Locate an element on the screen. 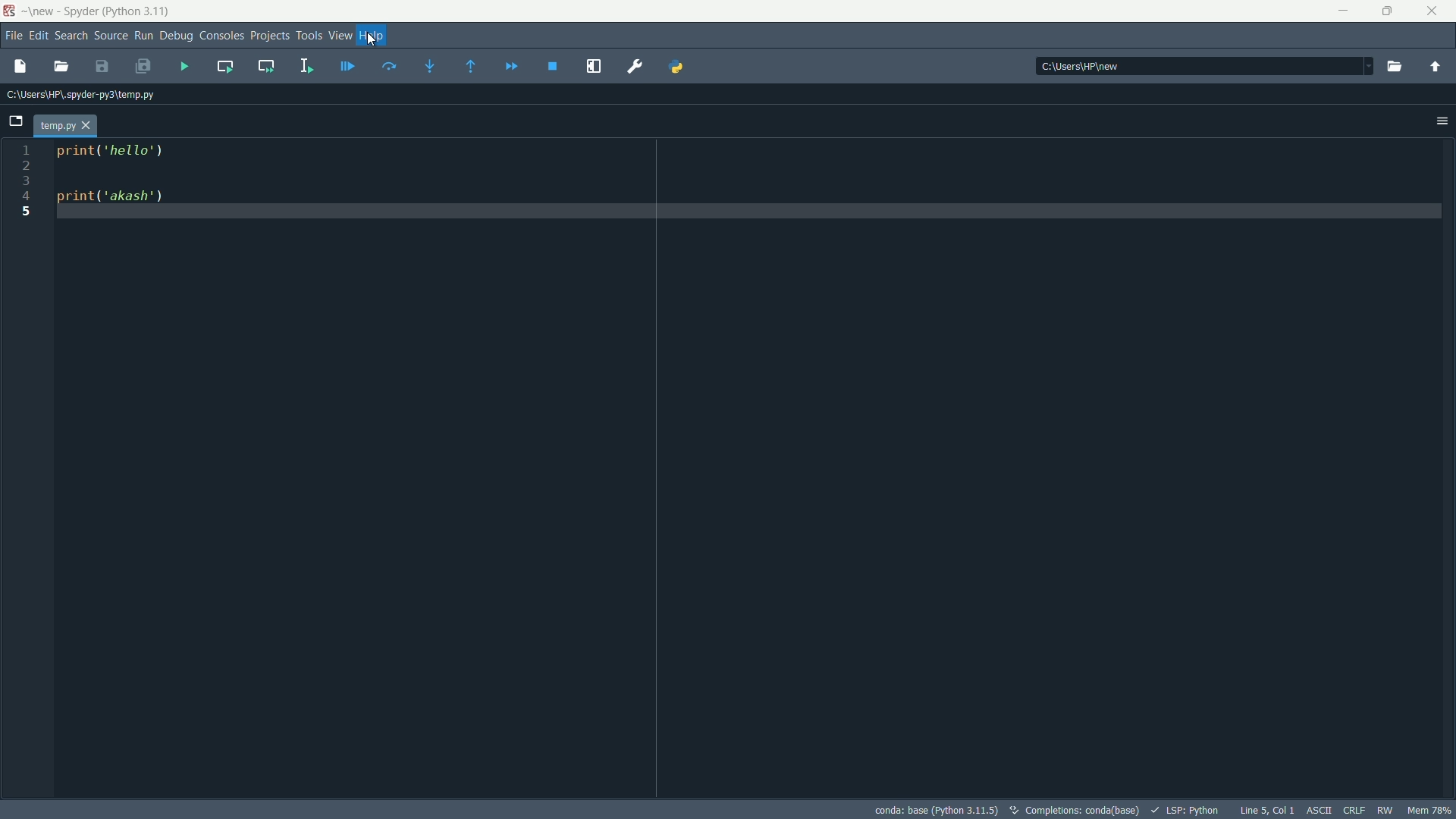 The height and width of the screenshot is (819, 1456). help menu is located at coordinates (373, 35).